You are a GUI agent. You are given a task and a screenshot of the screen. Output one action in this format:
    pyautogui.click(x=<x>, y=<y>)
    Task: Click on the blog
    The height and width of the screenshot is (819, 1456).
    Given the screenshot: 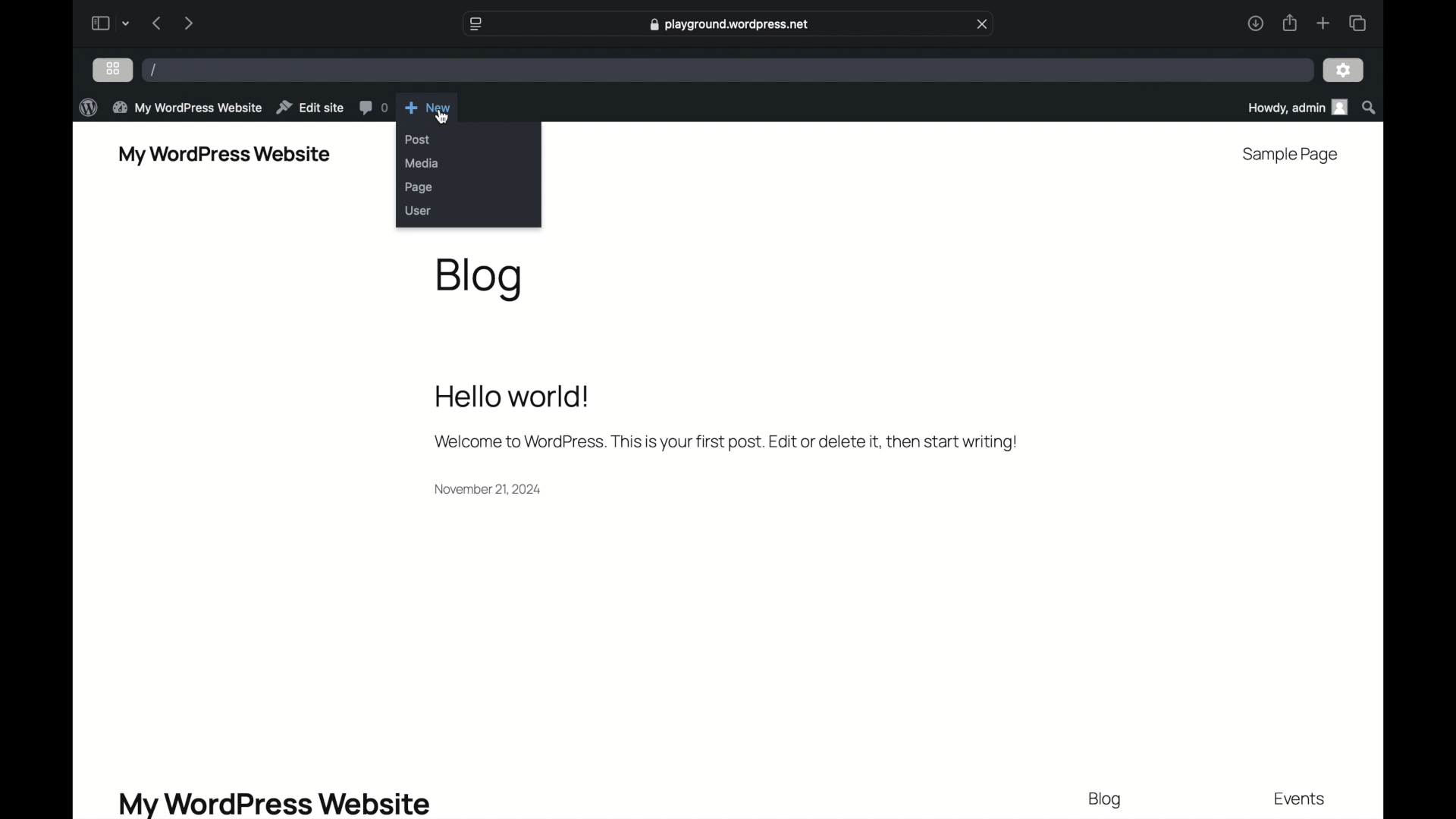 What is the action you would take?
    pyautogui.click(x=479, y=281)
    